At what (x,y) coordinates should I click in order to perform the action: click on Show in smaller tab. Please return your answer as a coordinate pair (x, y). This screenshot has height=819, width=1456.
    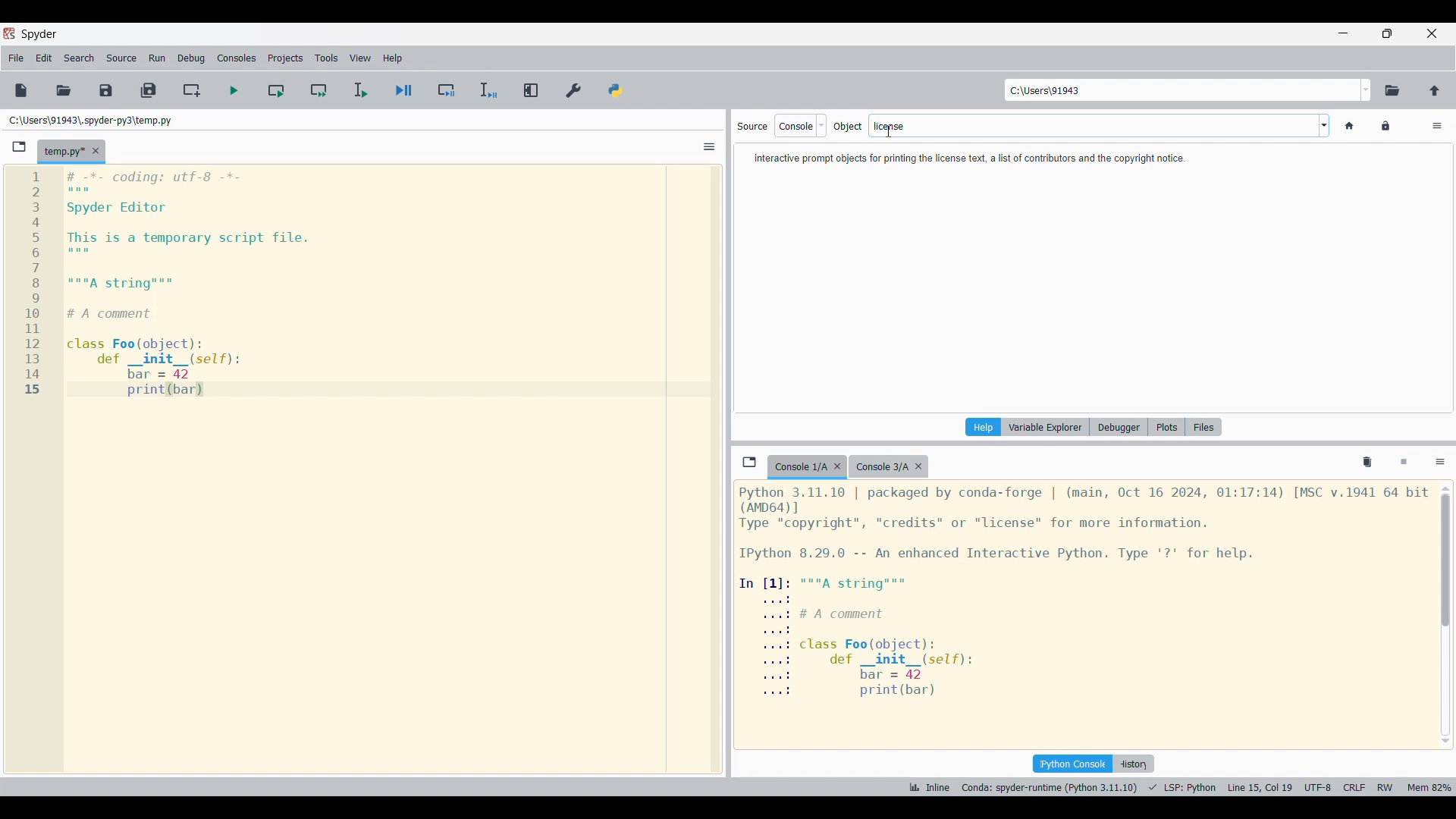
    Looking at the image, I should click on (1387, 33).